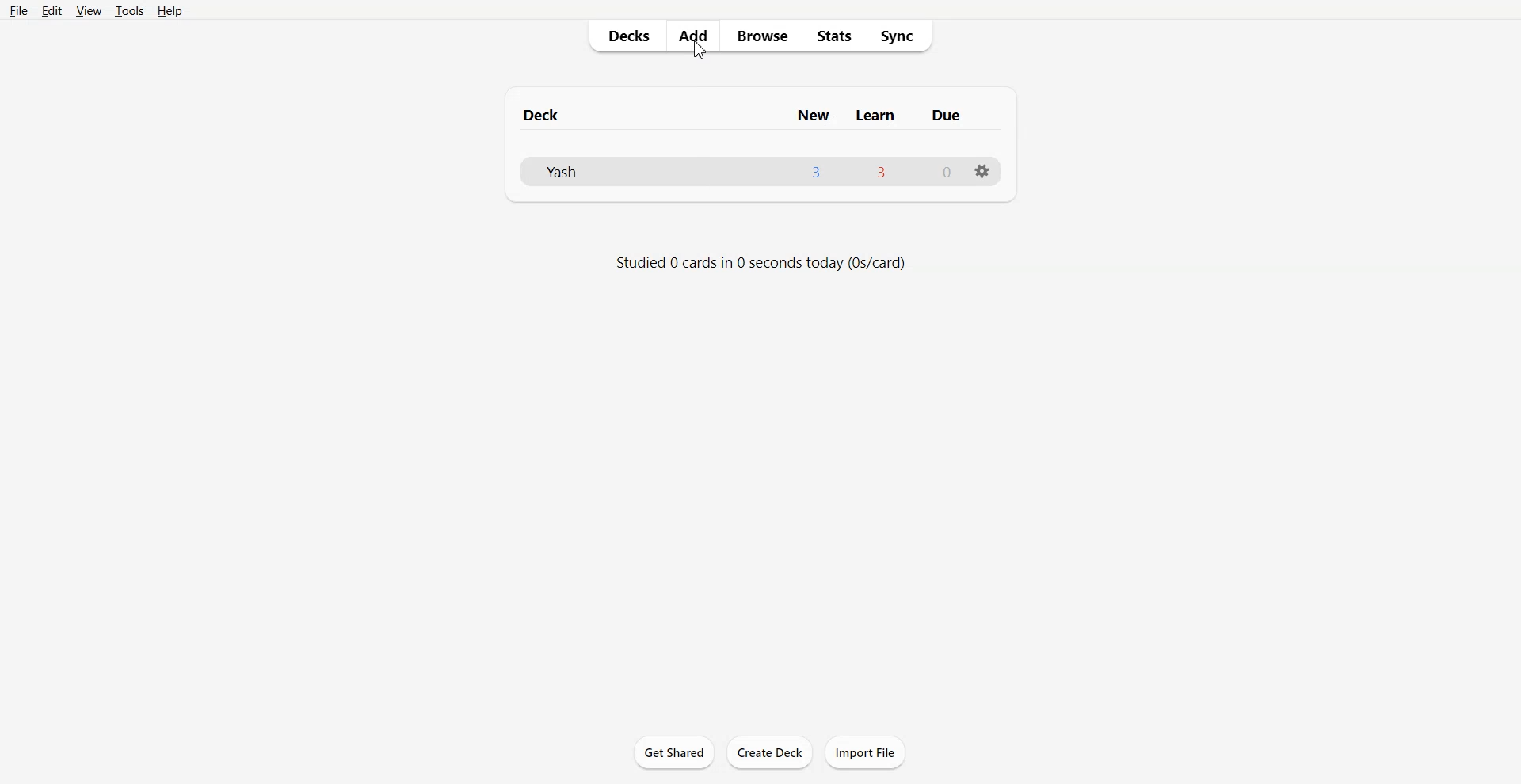 Image resolution: width=1521 pixels, height=784 pixels. Describe the element at coordinates (769, 752) in the screenshot. I see `Create Deck` at that location.